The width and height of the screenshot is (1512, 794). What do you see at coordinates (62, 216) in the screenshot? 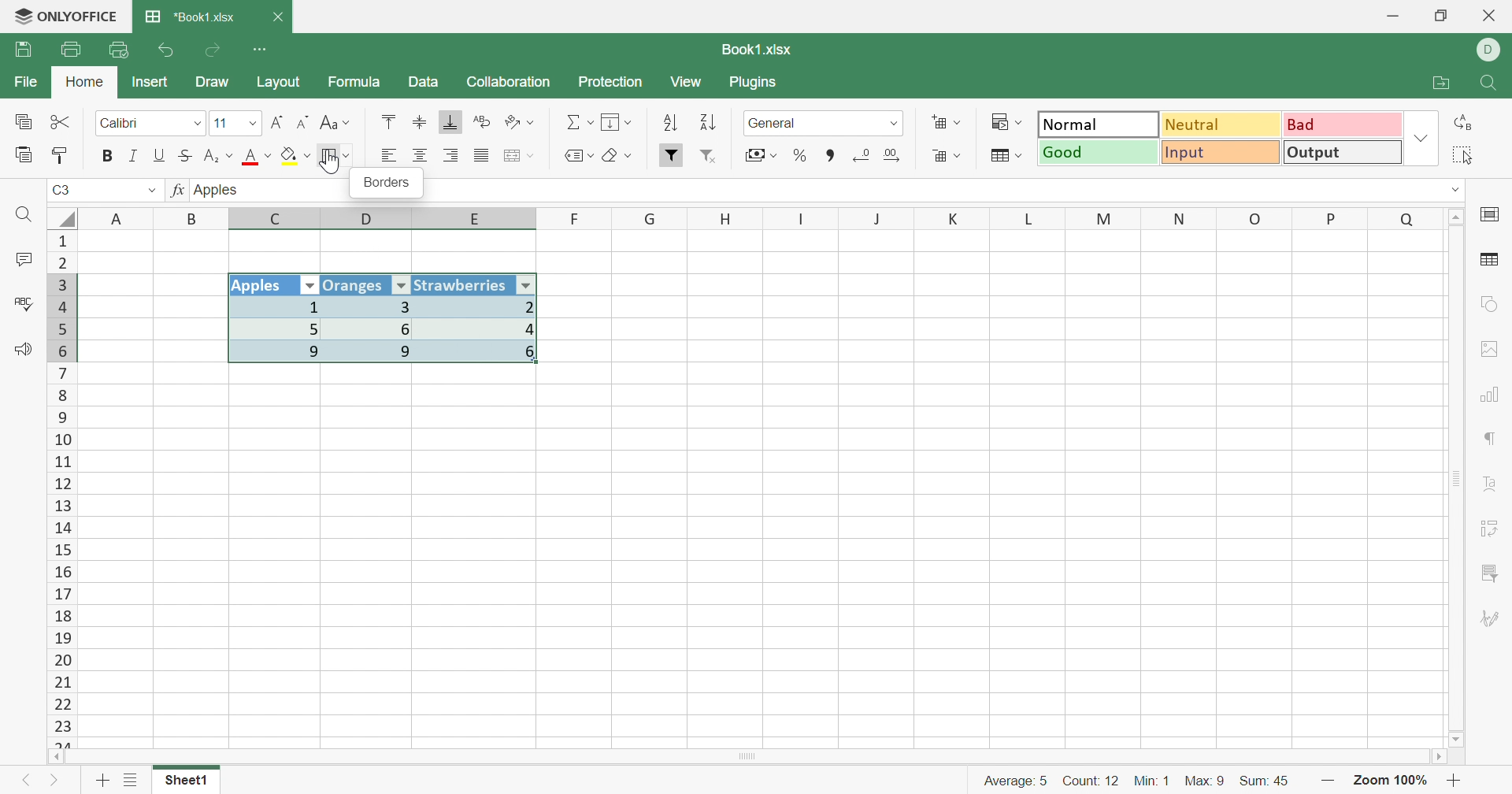
I see `Select all` at bounding box center [62, 216].